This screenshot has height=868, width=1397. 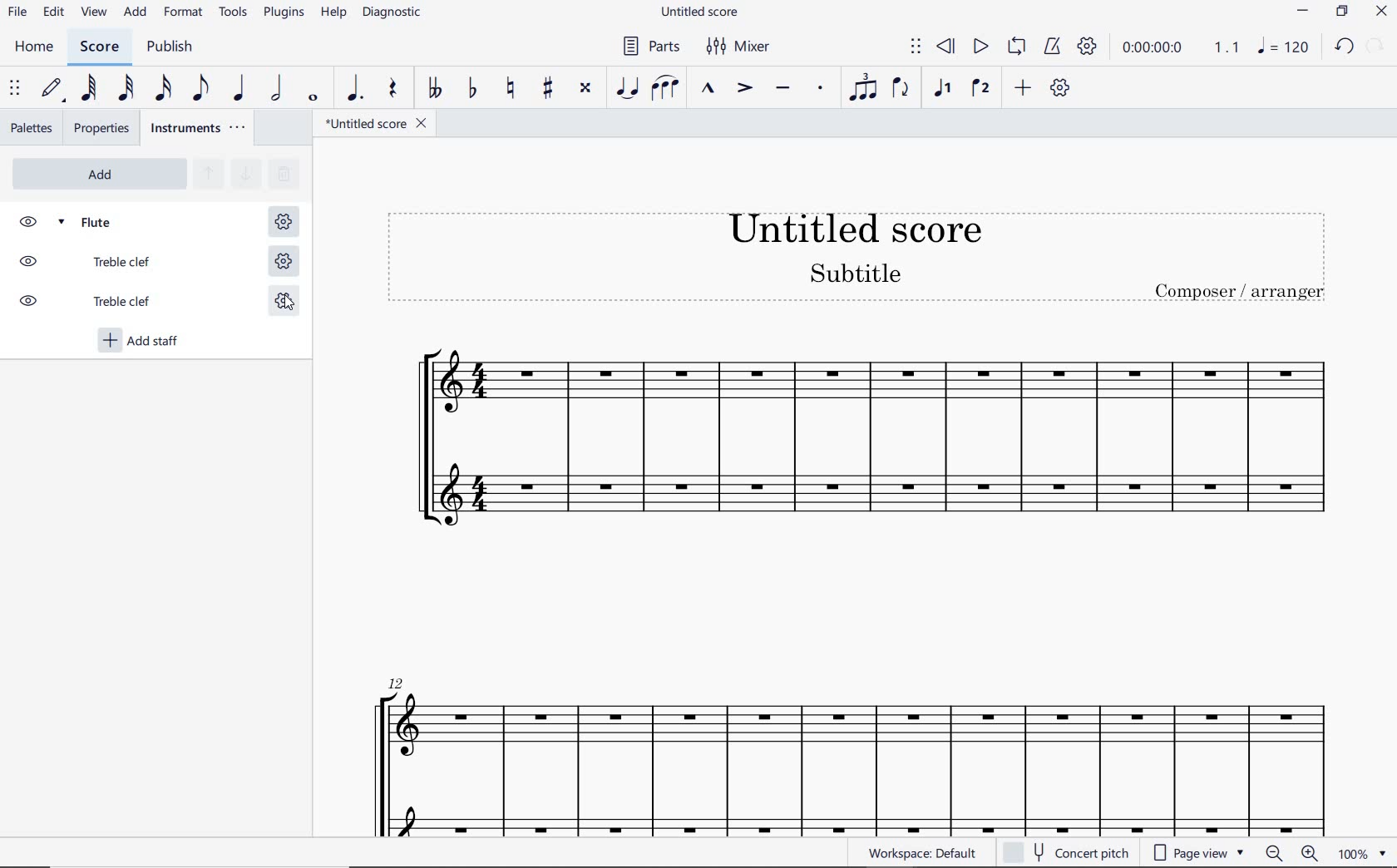 What do you see at coordinates (652, 47) in the screenshot?
I see `PARTS` at bounding box center [652, 47].